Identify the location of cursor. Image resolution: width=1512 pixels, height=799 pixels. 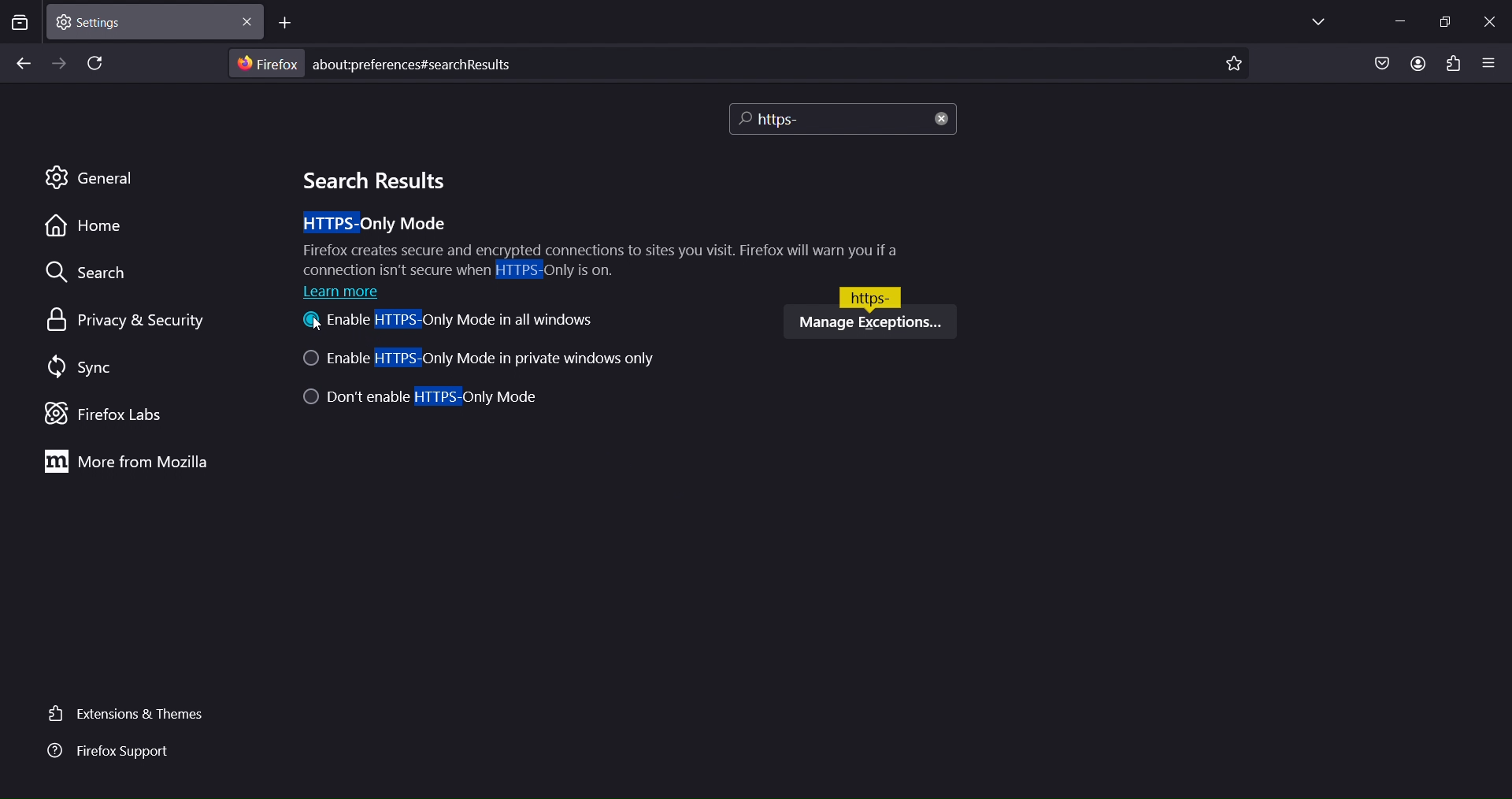
(317, 328).